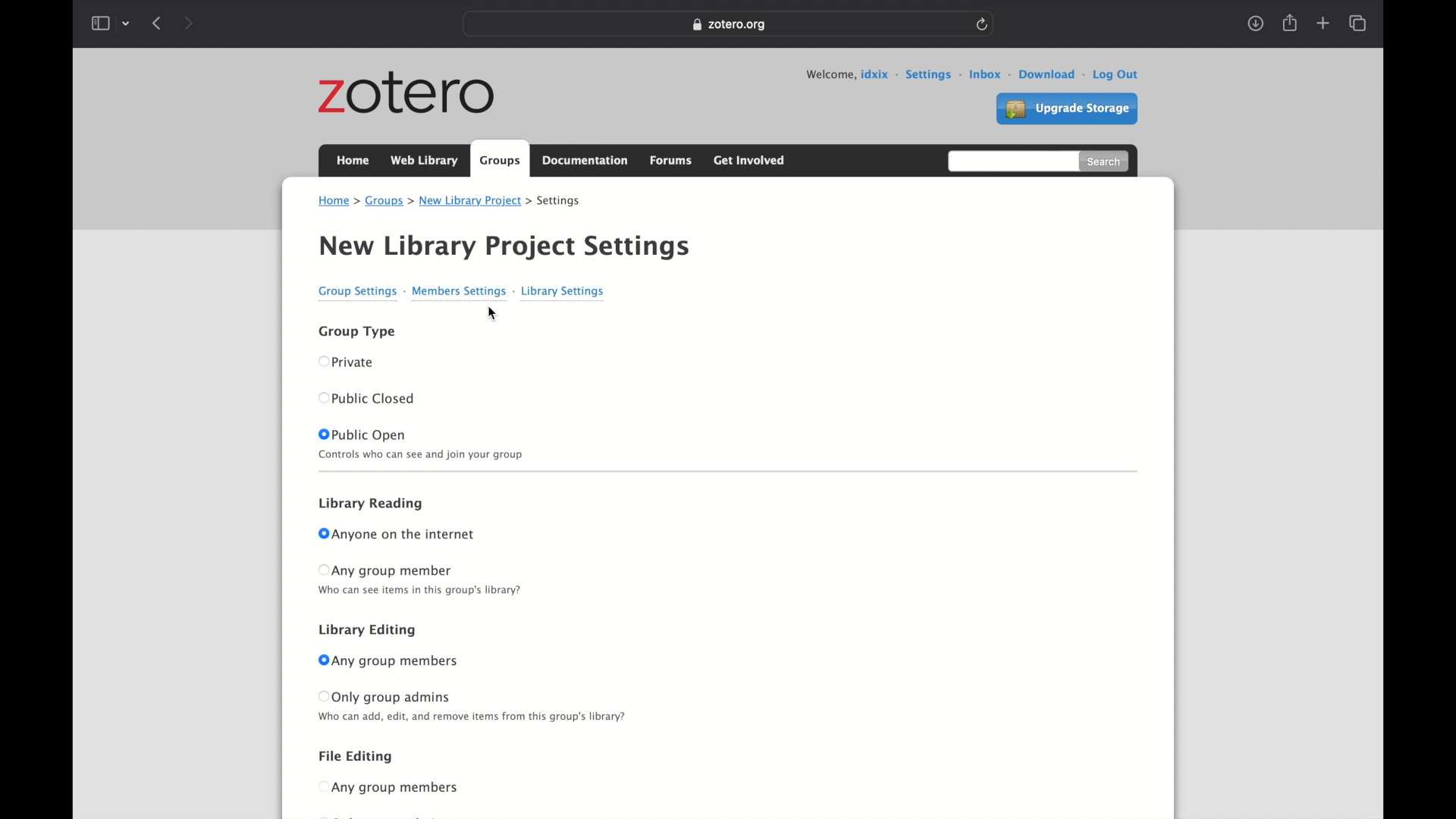 Image resolution: width=1456 pixels, height=819 pixels. Describe the element at coordinates (322, 435) in the screenshot. I see `button` at that location.